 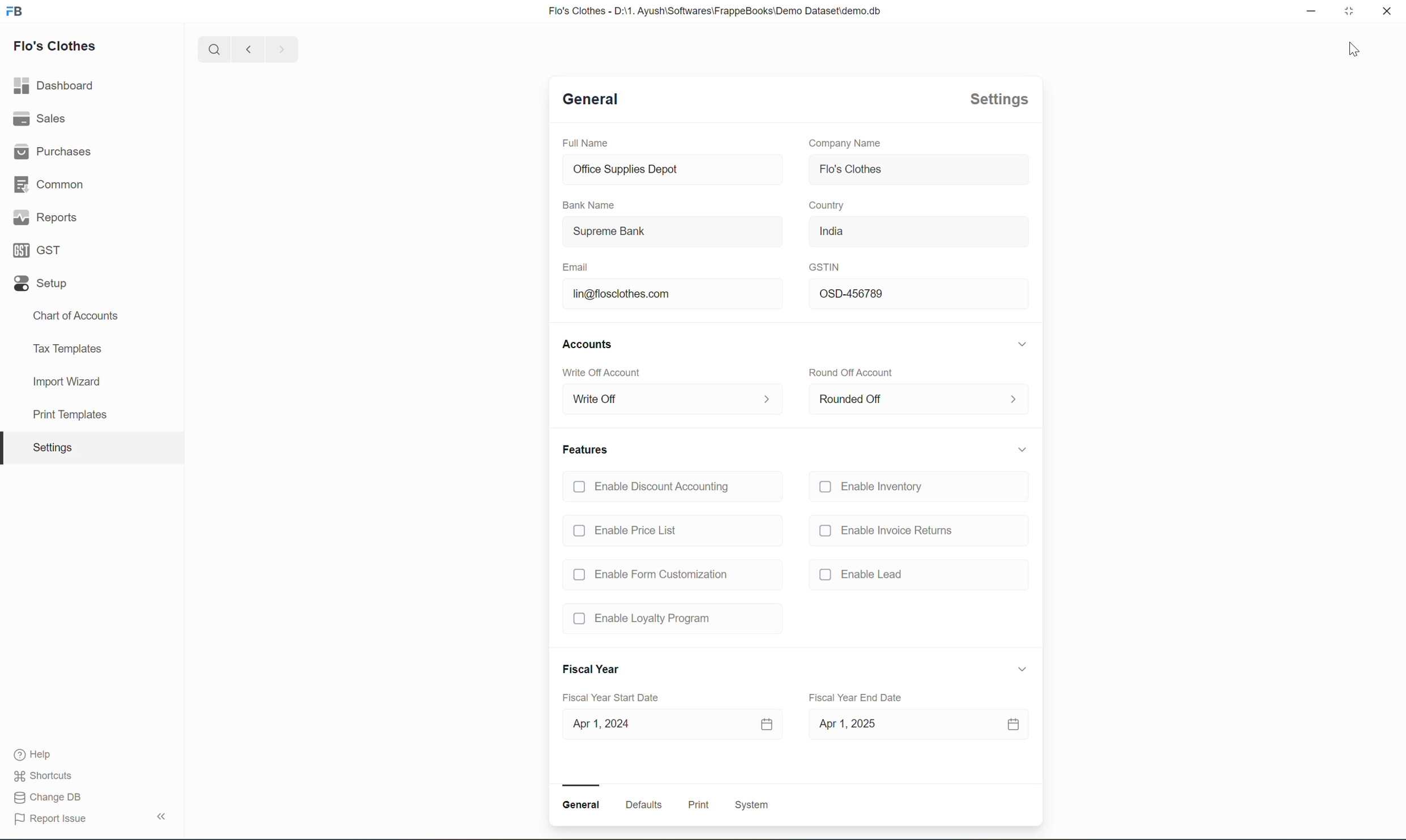 I want to click on Enable Invoice Returns, so click(x=885, y=531).